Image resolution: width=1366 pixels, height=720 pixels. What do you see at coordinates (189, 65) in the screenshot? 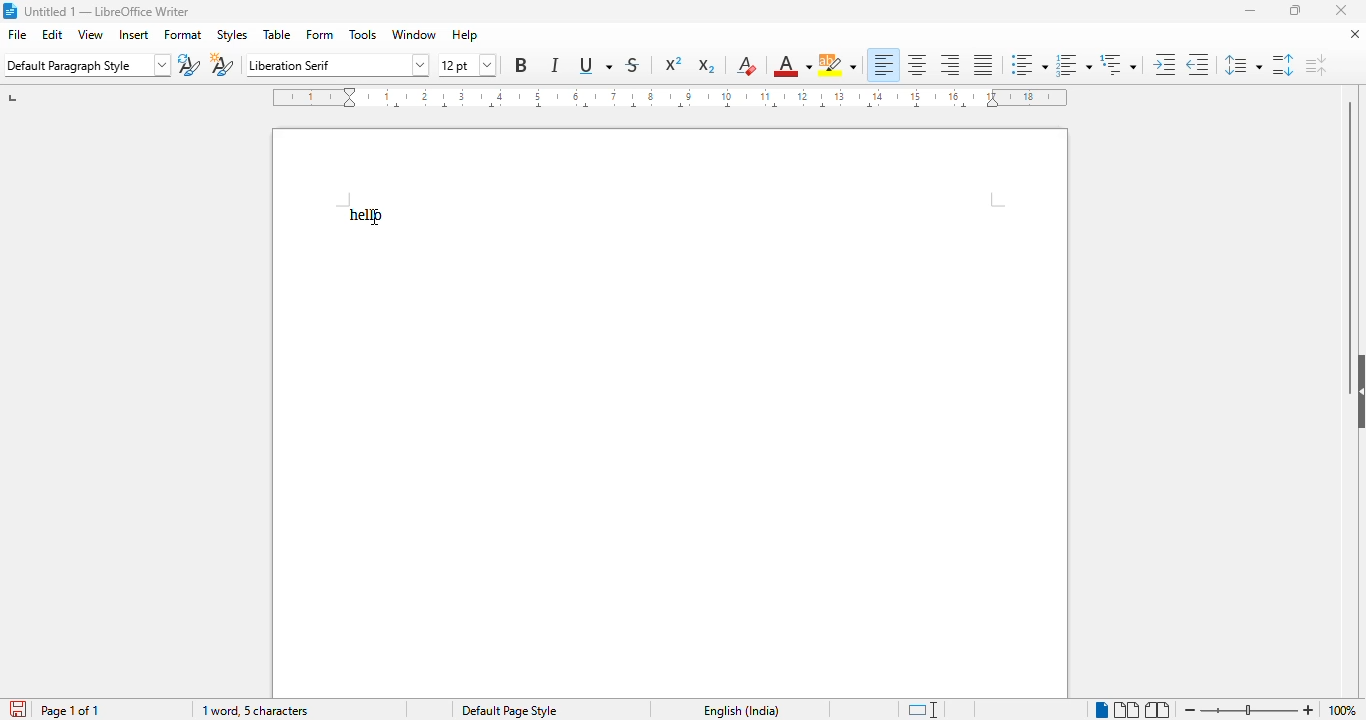
I see `update selected style` at bounding box center [189, 65].